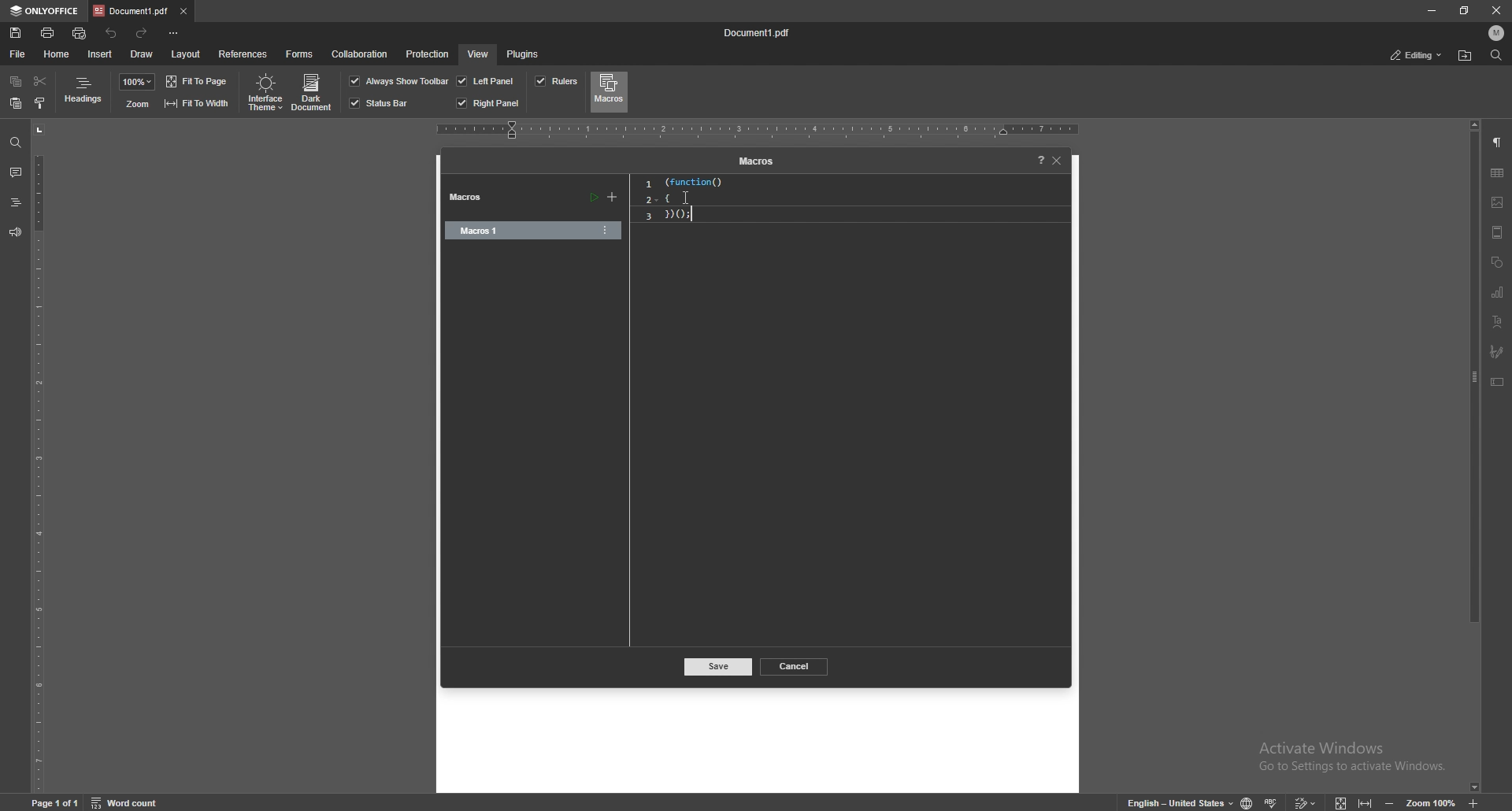 This screenshot has height=811, width=1512. What do you see at coordinates (44, 11) in the screenshot?
I see `onlyoffice` at bounding box center [44, 11].